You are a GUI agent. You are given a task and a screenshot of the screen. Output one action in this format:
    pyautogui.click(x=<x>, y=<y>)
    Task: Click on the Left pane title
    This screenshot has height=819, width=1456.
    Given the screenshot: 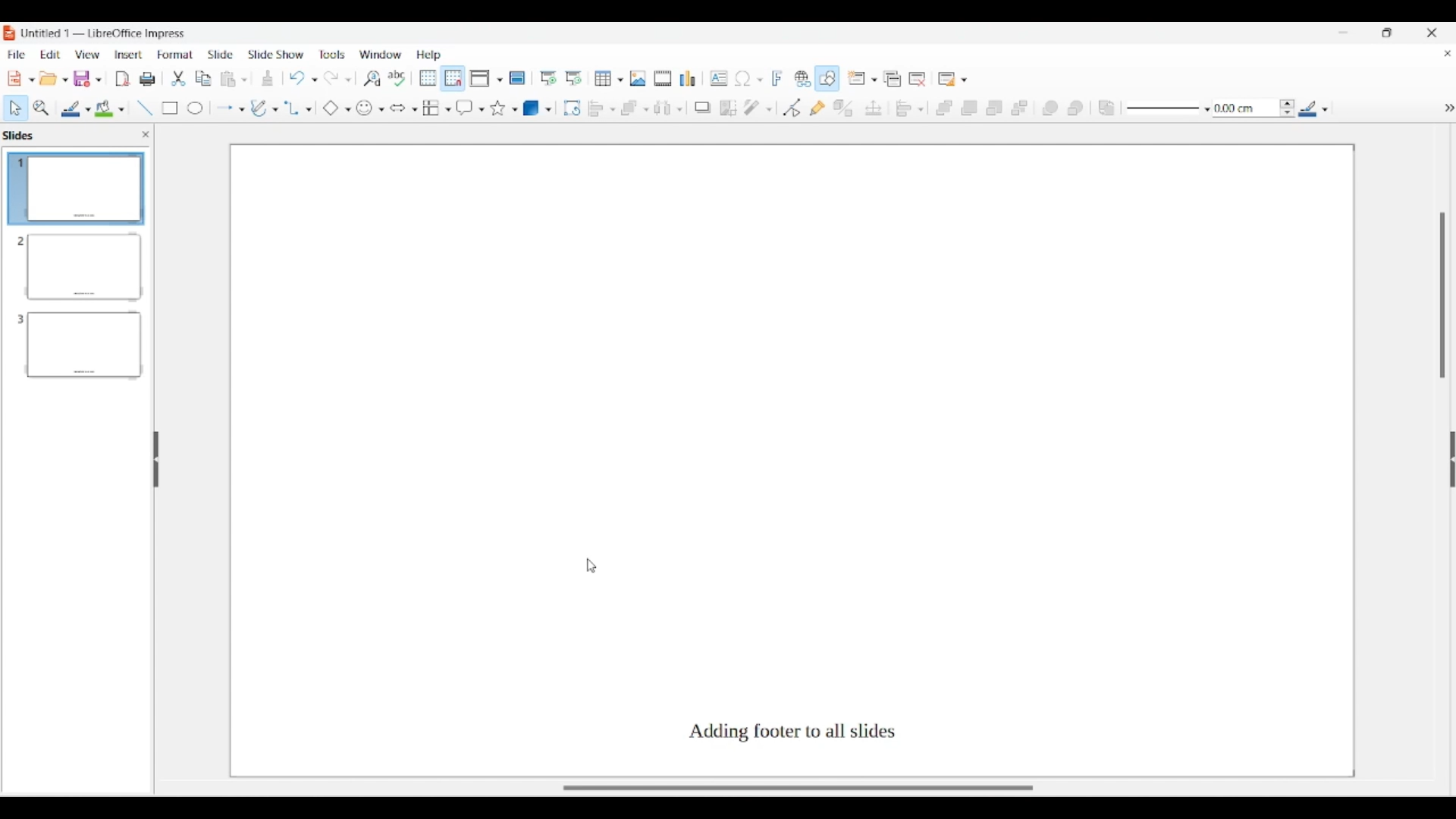 What is the action you would take?
    pyautogui.click(x=22, y=135)
    